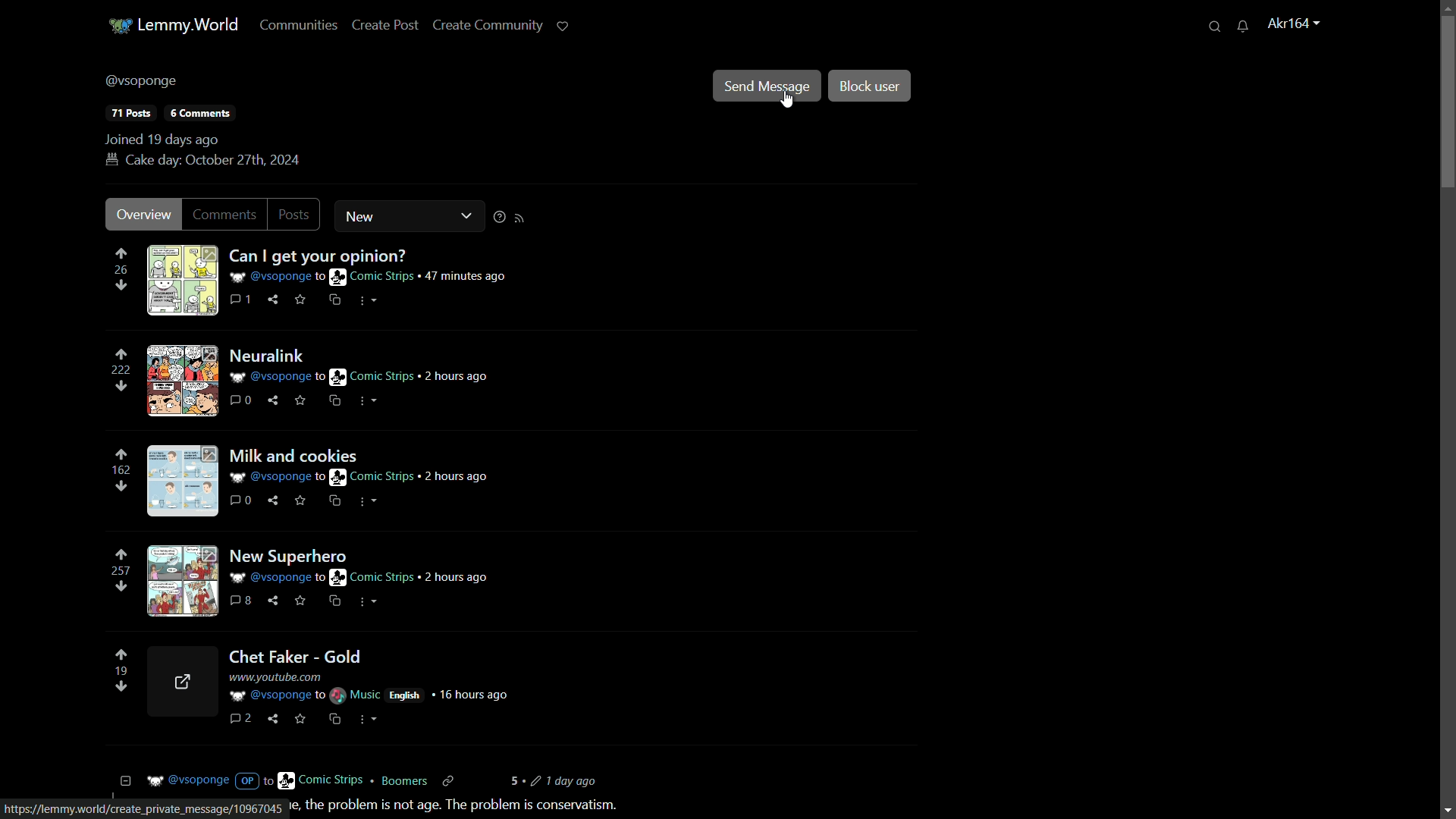 This screenshot has width=1456, height=819. I want to click on number of votes, so click(121, 572).